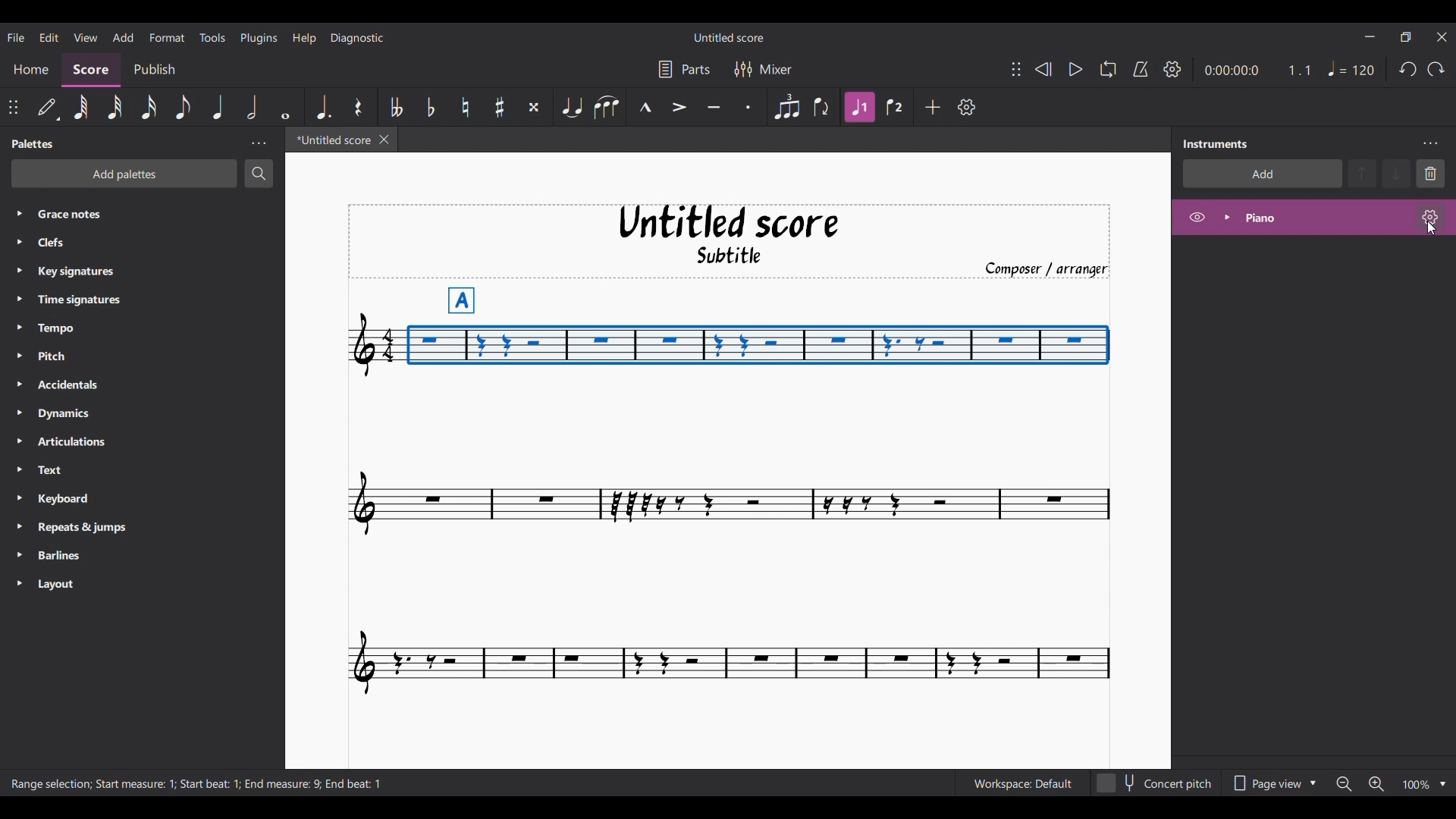 The image size is (1456, 819). What do you see at coordinates (12, 106) in the screenshot?
I see `Change position of toolbar attached` at bounding box center [12, 106].